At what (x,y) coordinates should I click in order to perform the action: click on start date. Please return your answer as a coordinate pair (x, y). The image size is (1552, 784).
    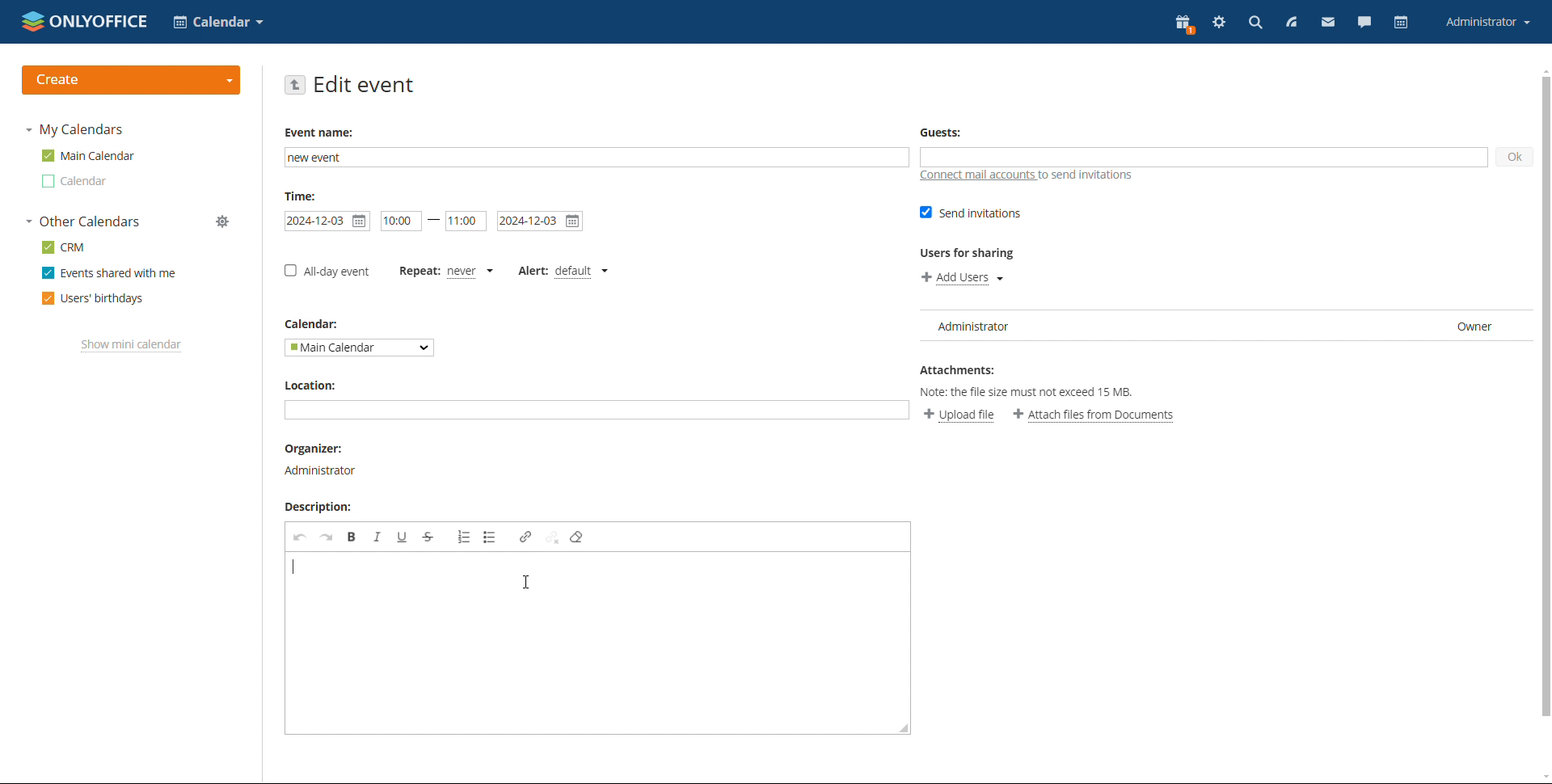
    Looking at the image, I should click on (400, 221).